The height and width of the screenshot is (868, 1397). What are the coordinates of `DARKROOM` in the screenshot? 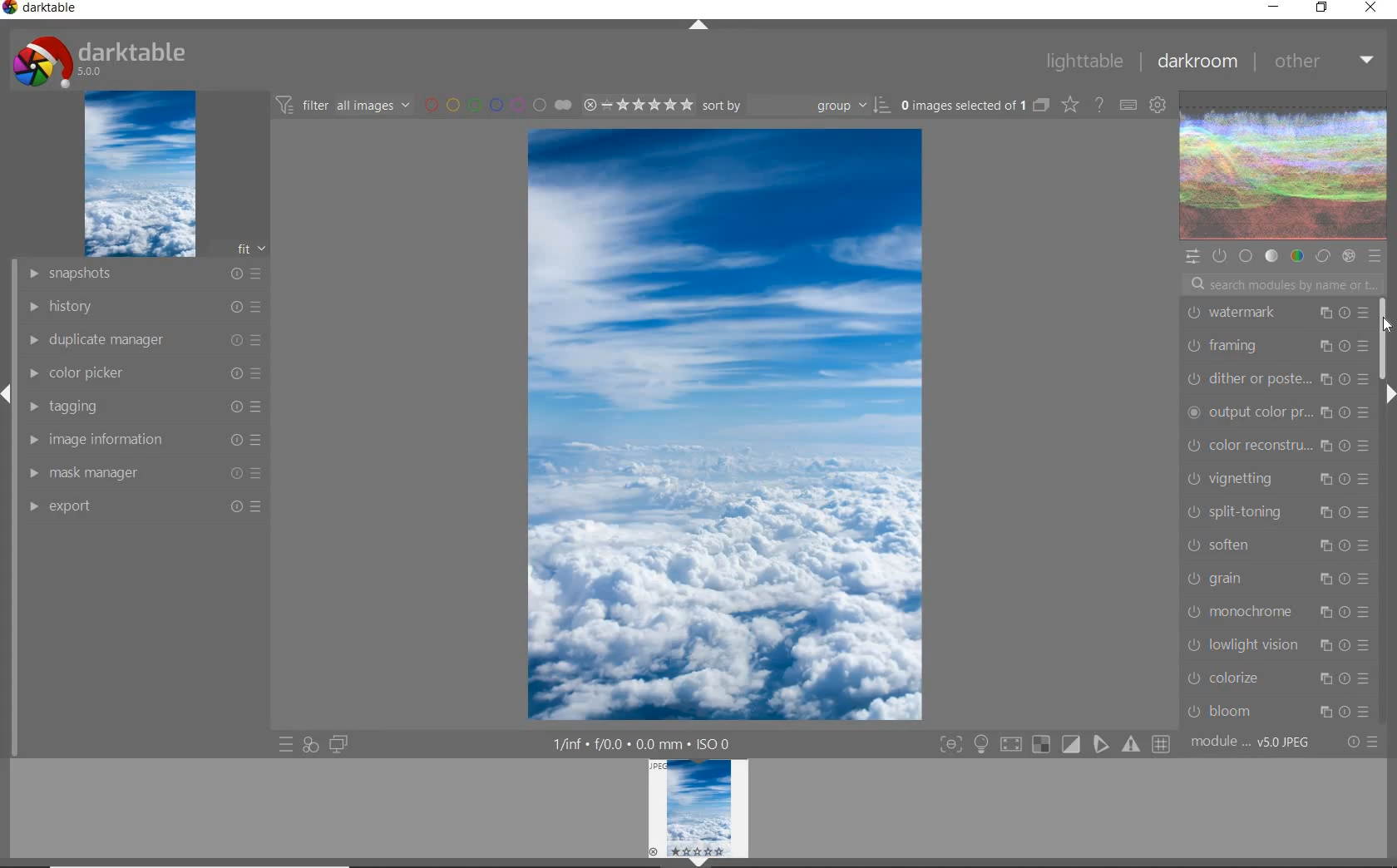 It's located at (1196, 62).